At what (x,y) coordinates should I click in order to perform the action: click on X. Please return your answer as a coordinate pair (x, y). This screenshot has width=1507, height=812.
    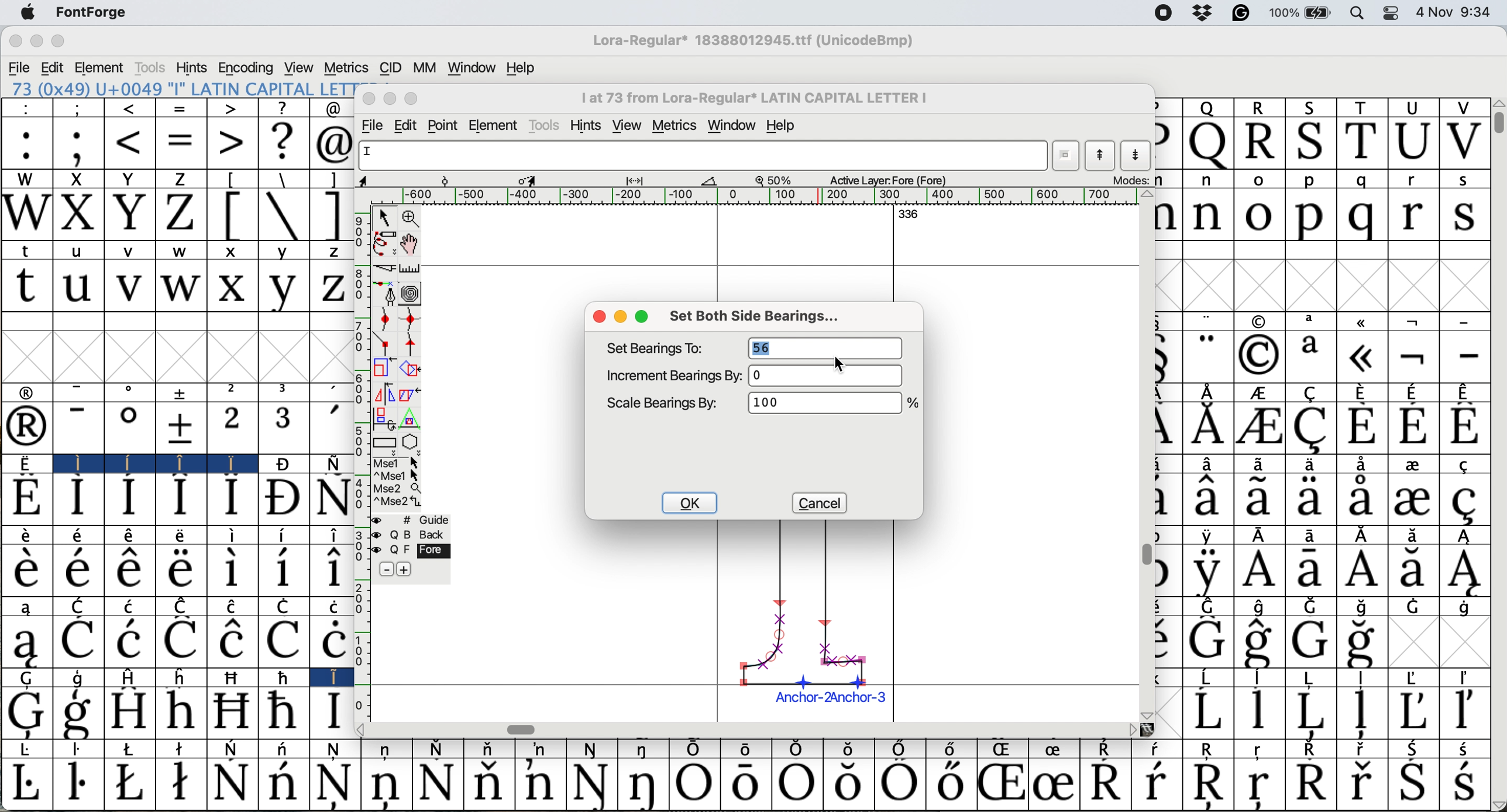
    Looking at the image, I should click on (78, 215).